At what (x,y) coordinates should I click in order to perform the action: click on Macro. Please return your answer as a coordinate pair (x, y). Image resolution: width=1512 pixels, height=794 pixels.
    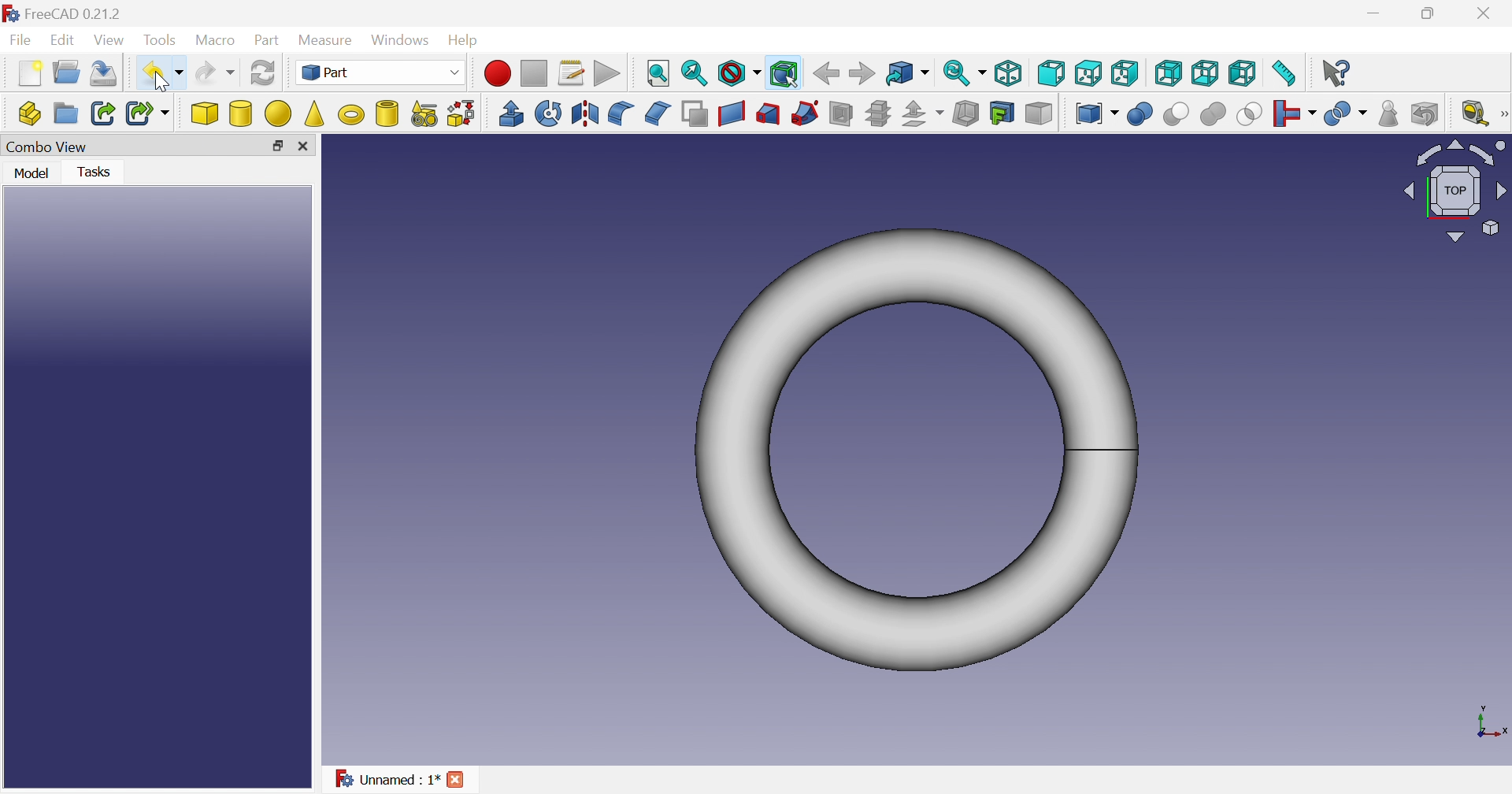
    Looking at the image, I should click on (215, 41).